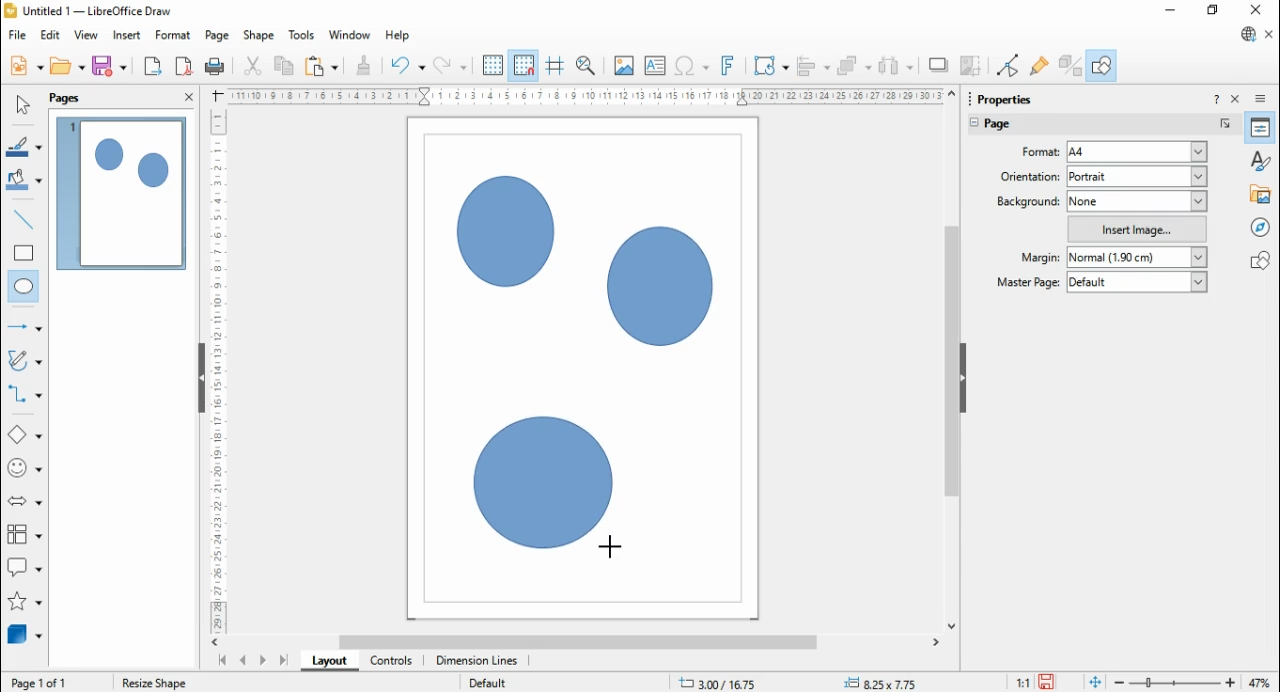 The width and height of the screenshot is (1280, 692). Describe the element at coordinates (26, 470) in the screenshot. I see `symbol shapes` at that location.